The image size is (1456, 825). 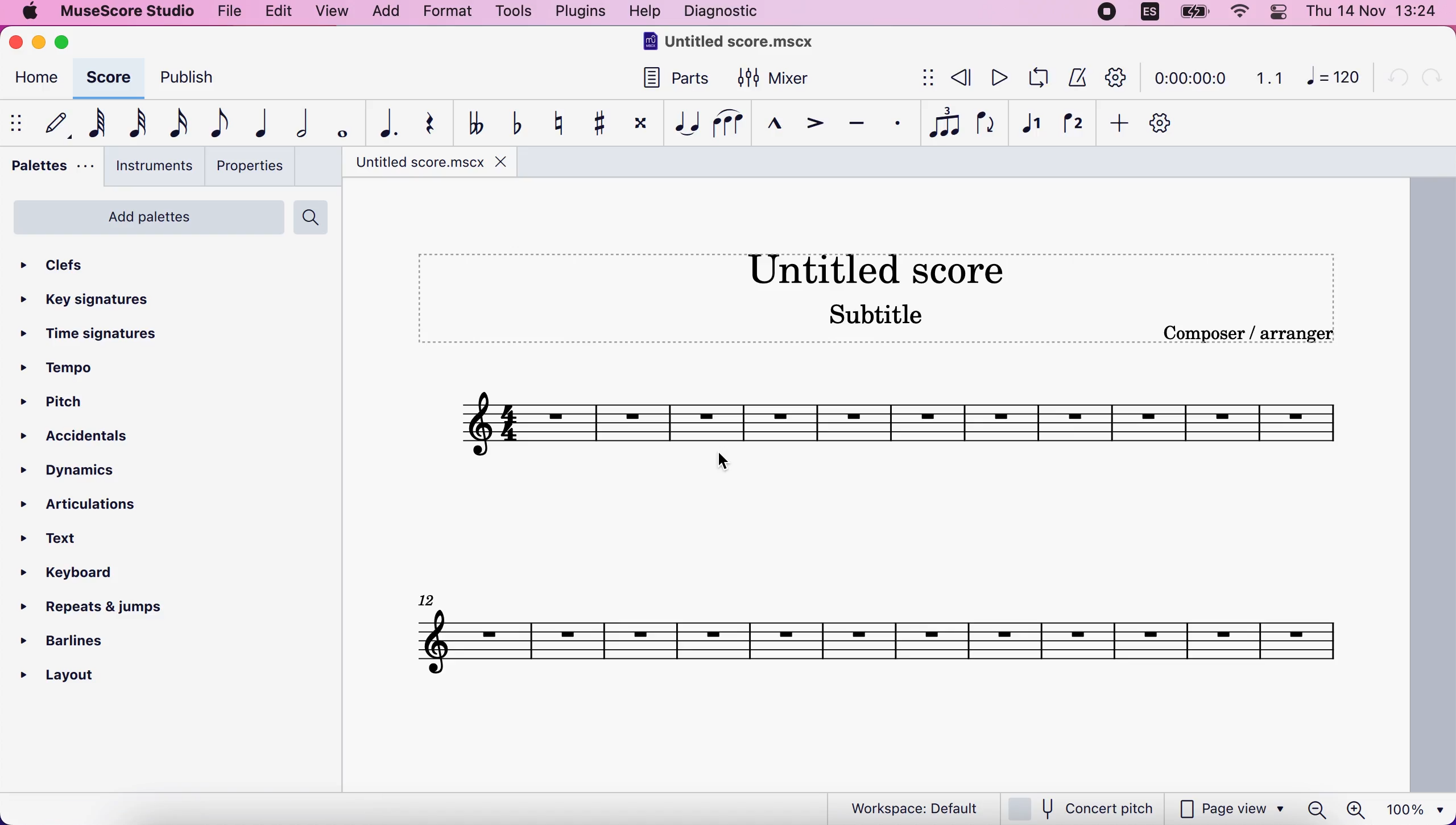 I want to click on half note, so click(x=299, y=126).